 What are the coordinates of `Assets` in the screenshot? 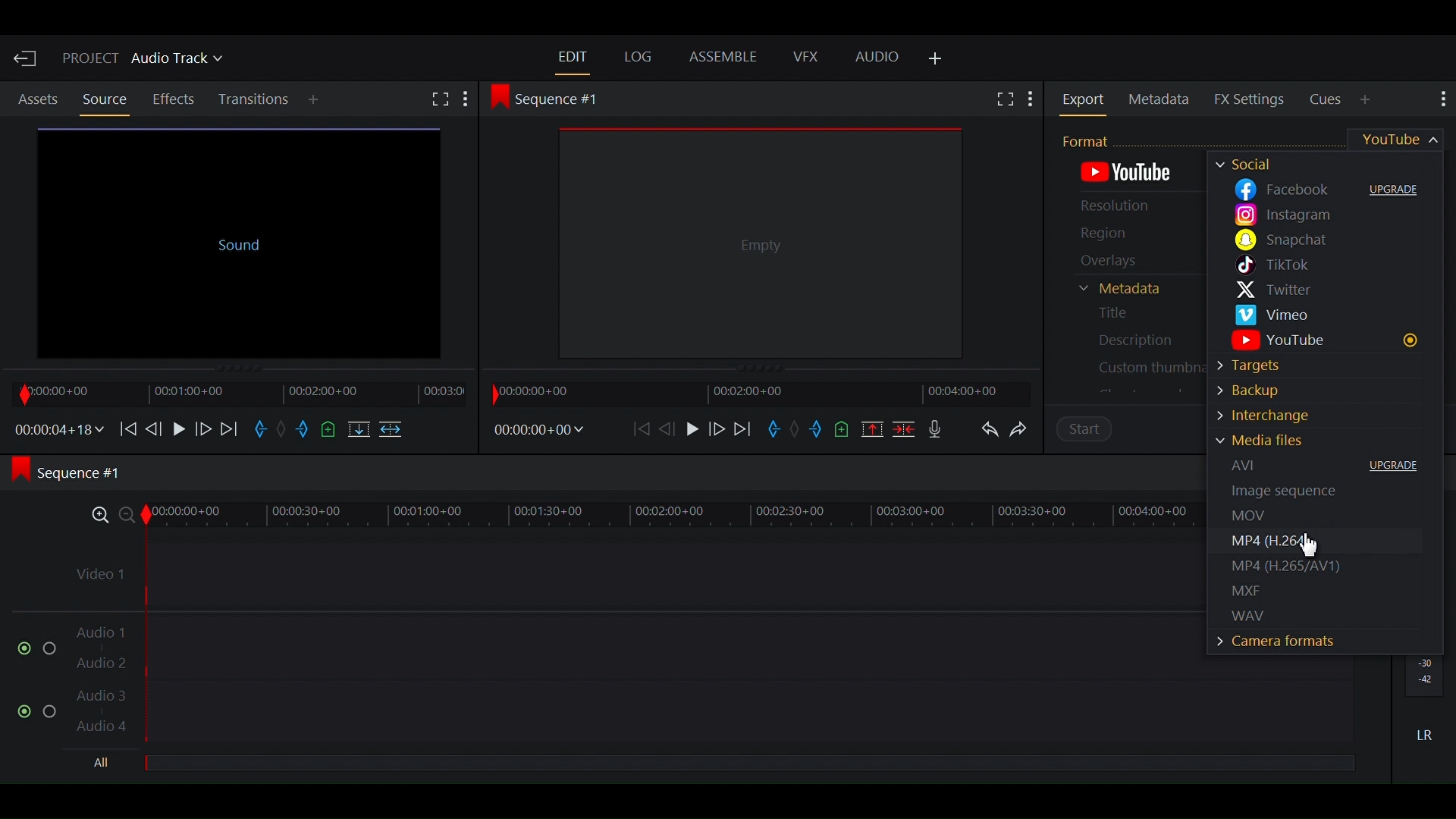 It's located at (38, 100).